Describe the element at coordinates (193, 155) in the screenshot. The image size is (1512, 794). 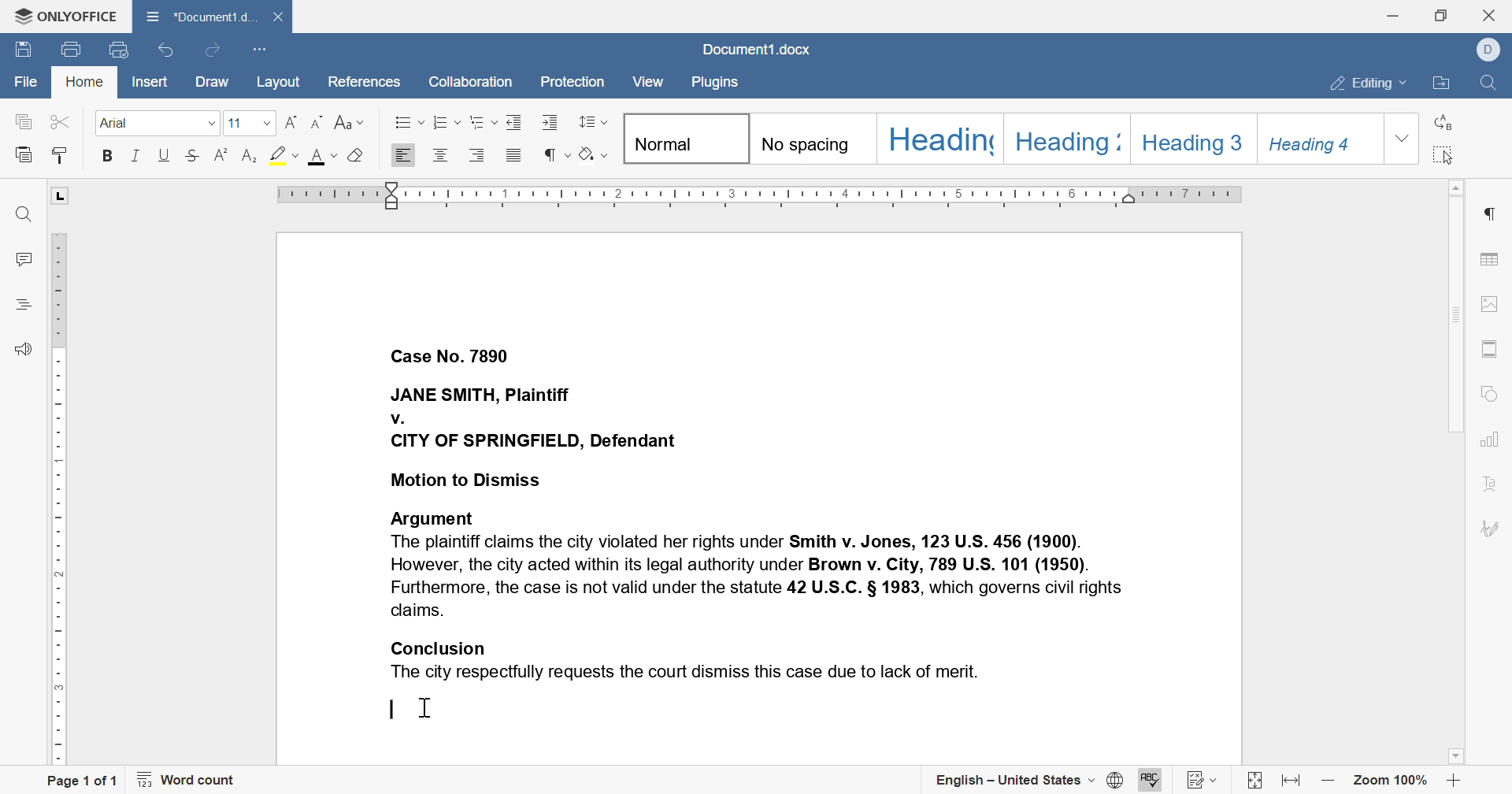
I see `strikethrough` at that location.